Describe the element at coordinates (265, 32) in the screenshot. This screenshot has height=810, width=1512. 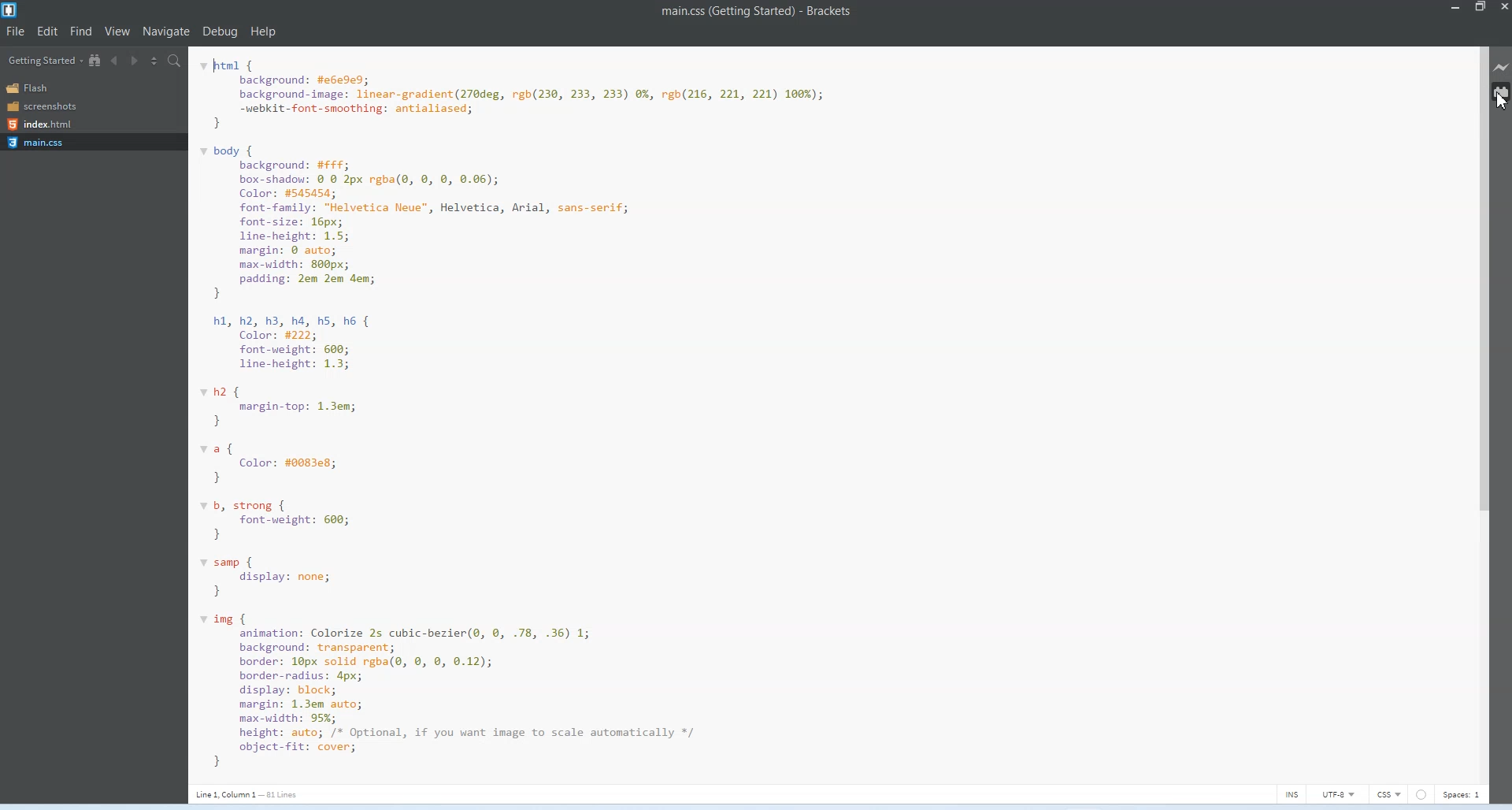
I see `Help` at that location.